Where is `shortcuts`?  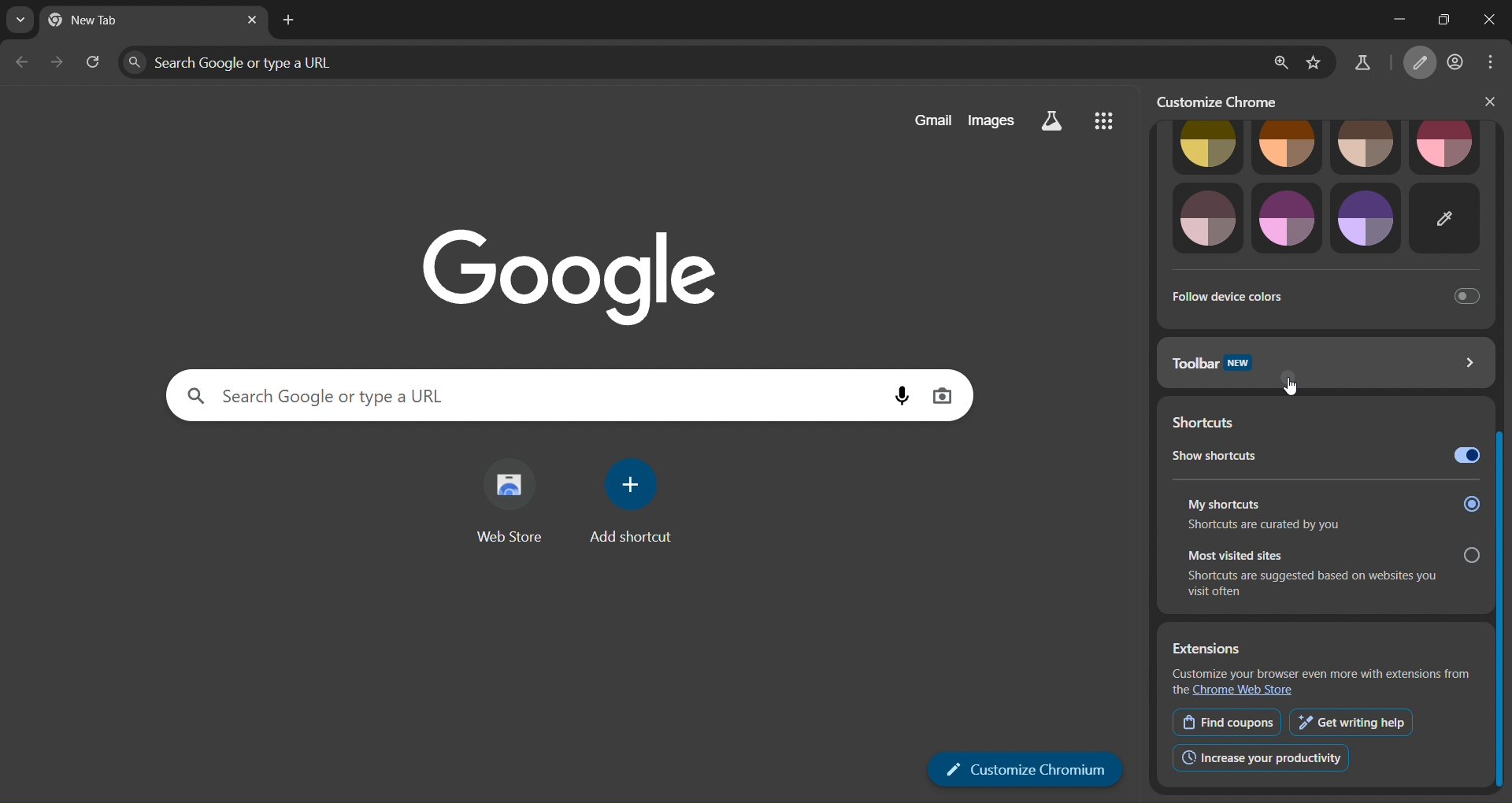 shortcuts is located at coordinates (1306, 418).